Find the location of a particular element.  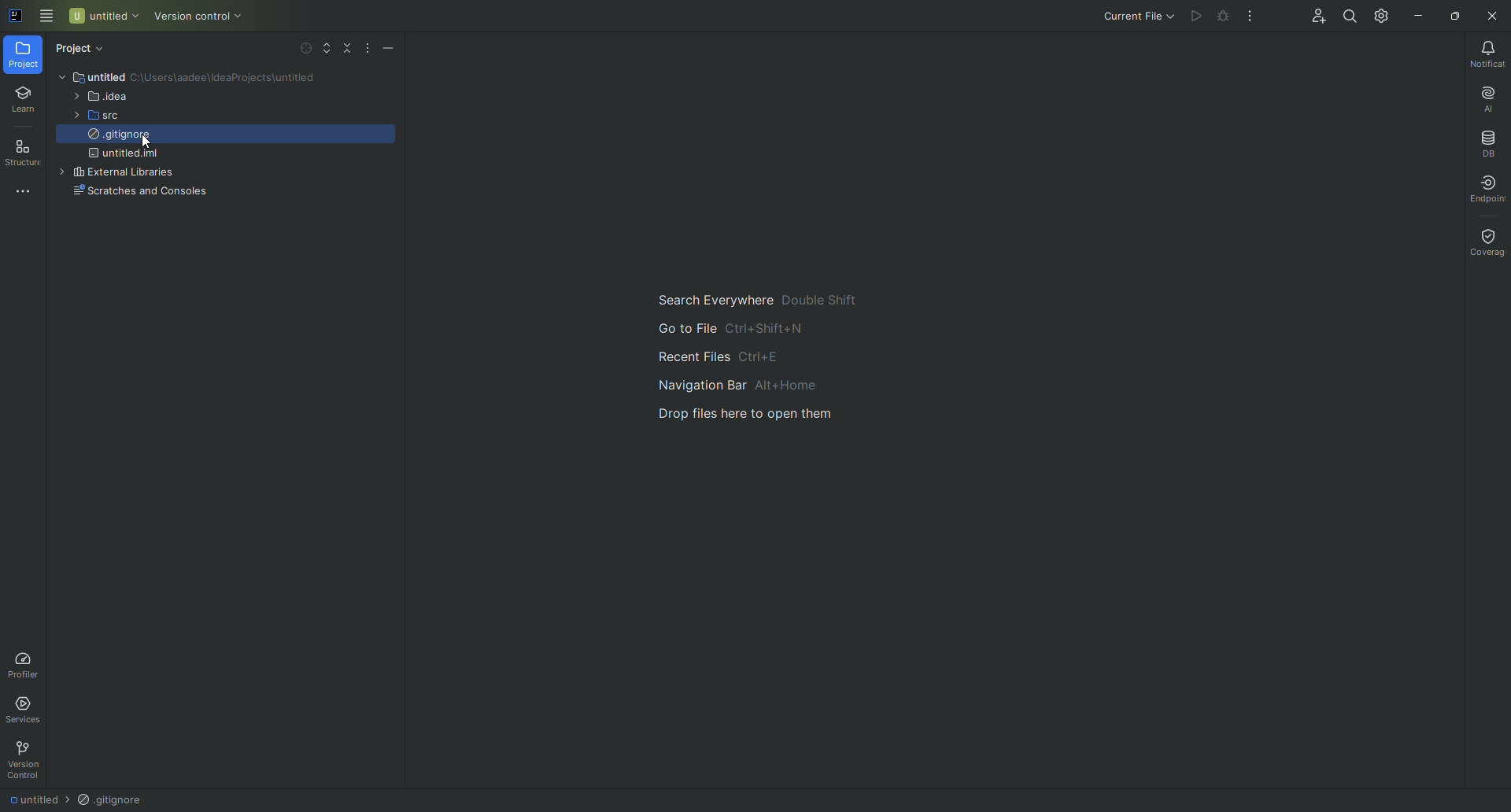

More is located at coordinates (369, 50).